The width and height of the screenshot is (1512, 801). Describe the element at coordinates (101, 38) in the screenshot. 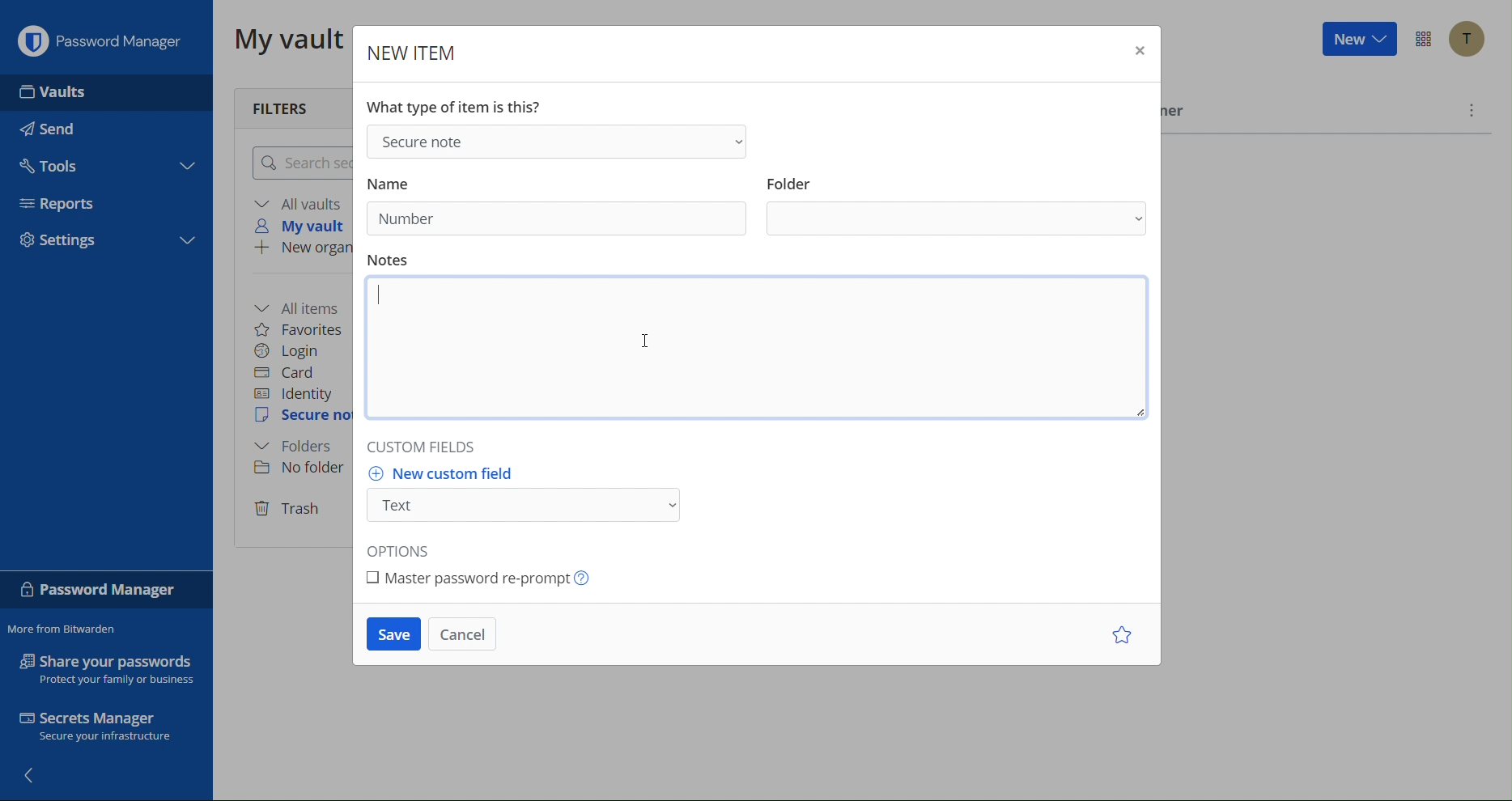

I see `Password Manager` at that location.